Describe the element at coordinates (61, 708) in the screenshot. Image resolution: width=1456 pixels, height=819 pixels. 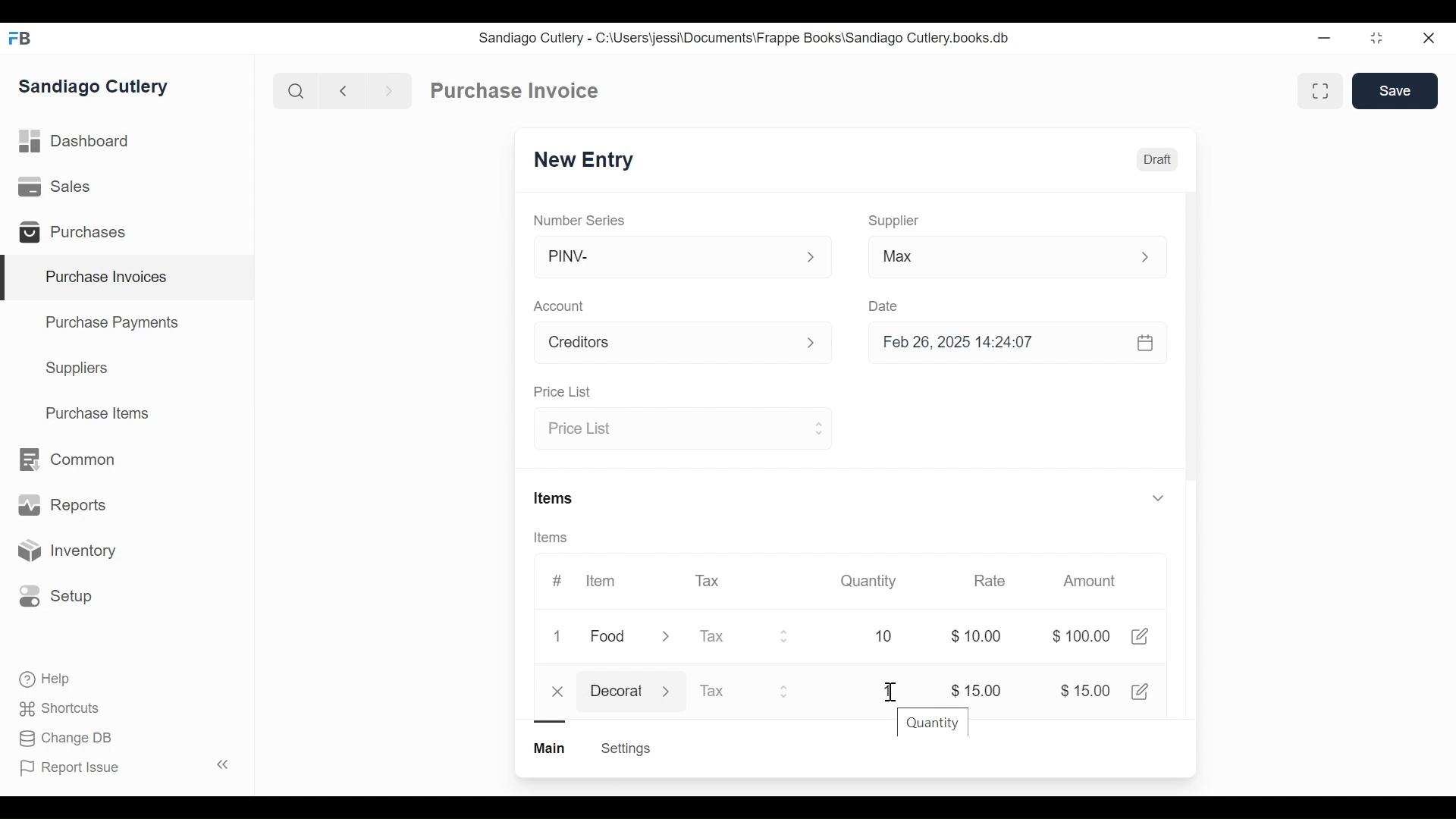
I see `Shortcuts` at that location.